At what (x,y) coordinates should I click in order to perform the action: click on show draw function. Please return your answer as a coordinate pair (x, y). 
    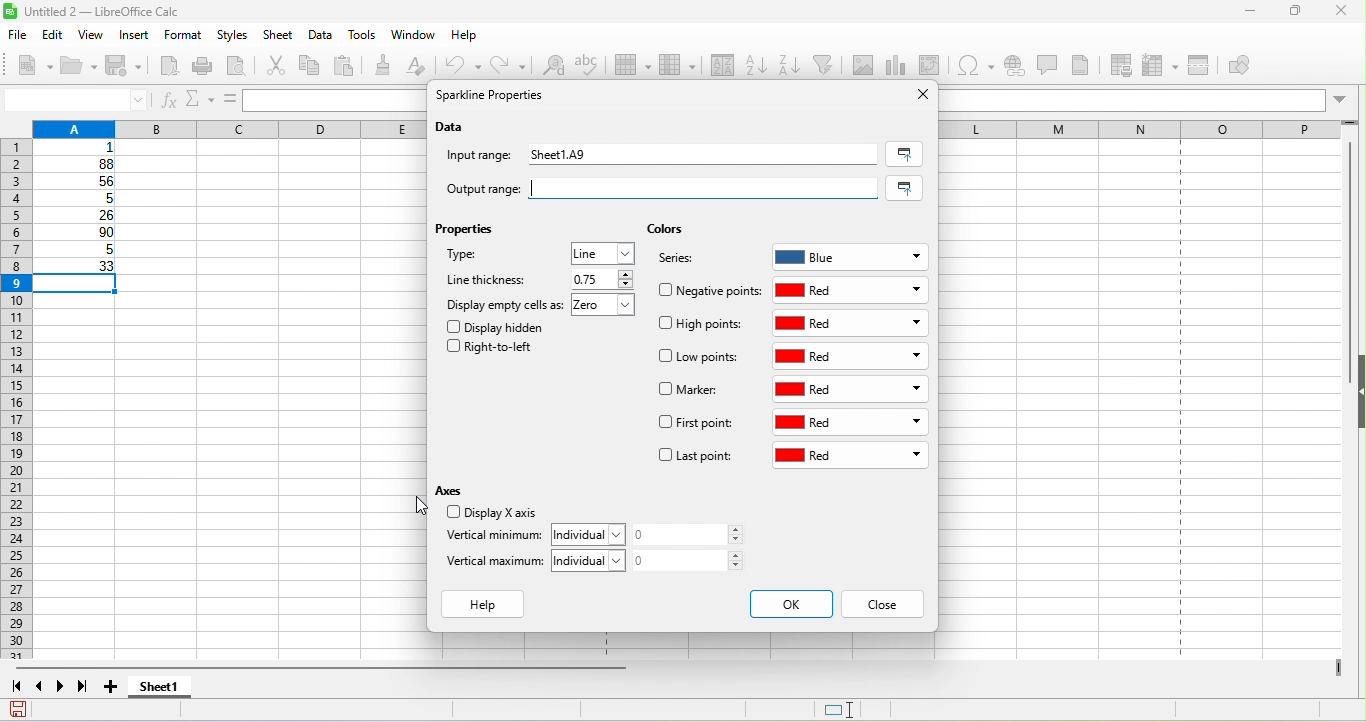
    Looking at the image, I should click on (1255, 67).